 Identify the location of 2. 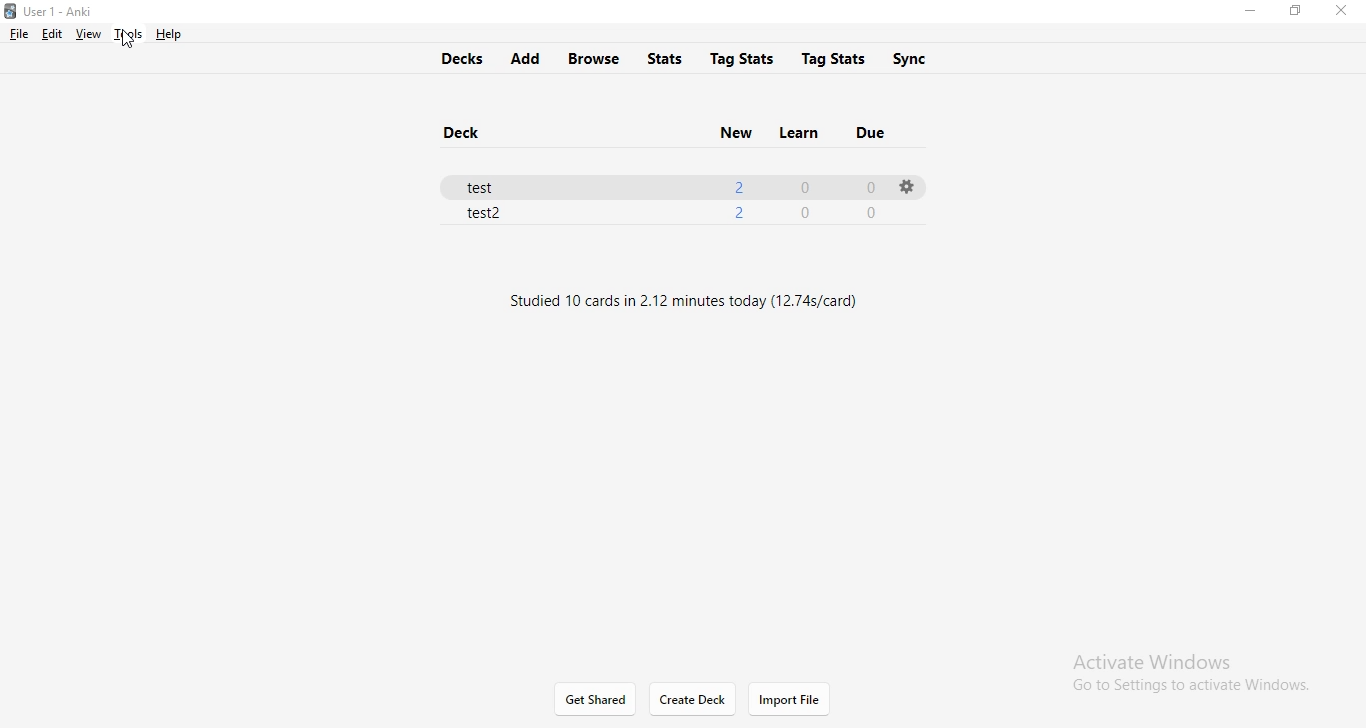
(737, 184).